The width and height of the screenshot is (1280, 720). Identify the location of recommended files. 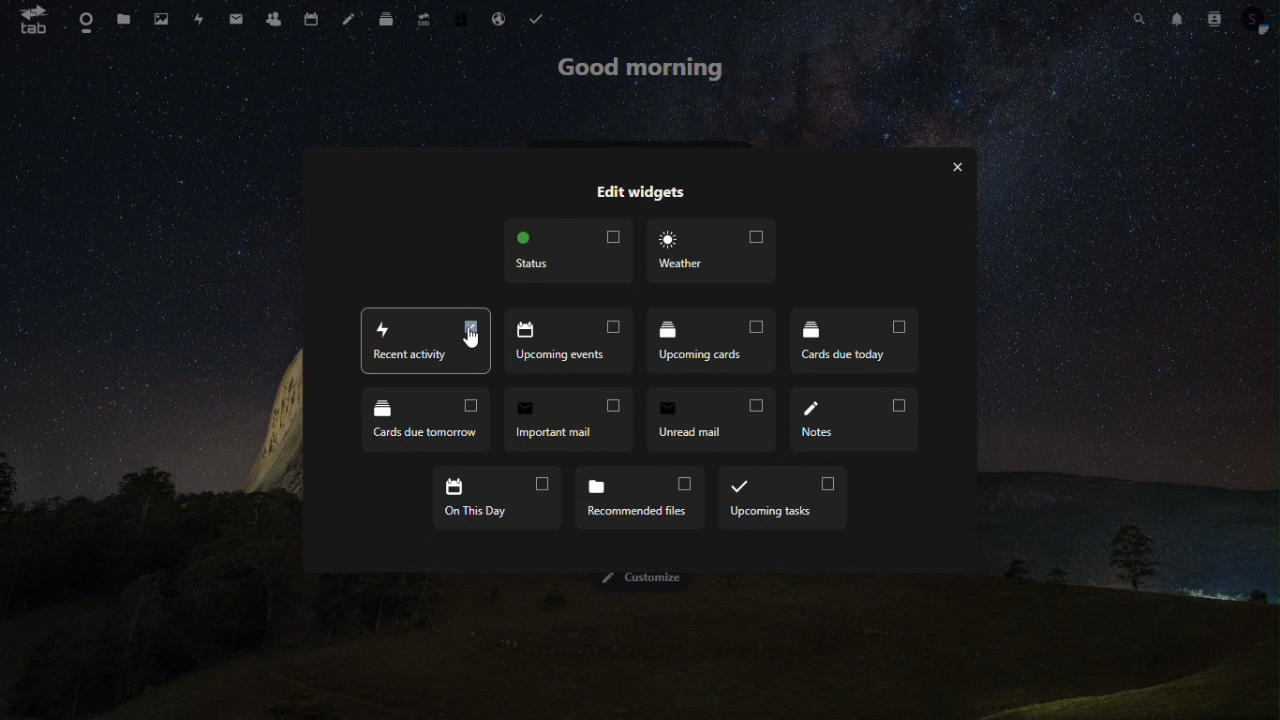
(644, 496).